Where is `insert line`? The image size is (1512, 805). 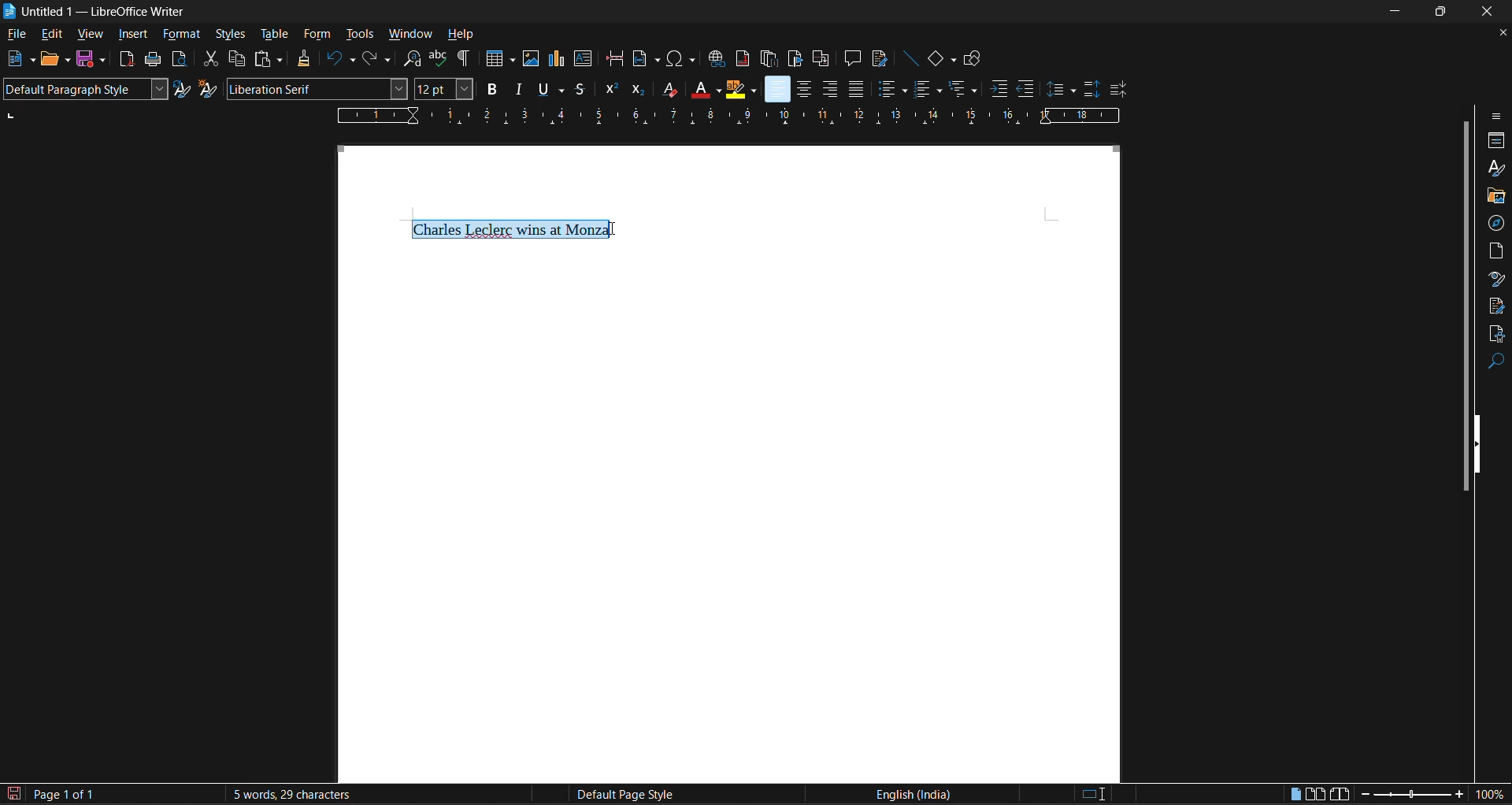
insert line is located at coordinates (909, 58).